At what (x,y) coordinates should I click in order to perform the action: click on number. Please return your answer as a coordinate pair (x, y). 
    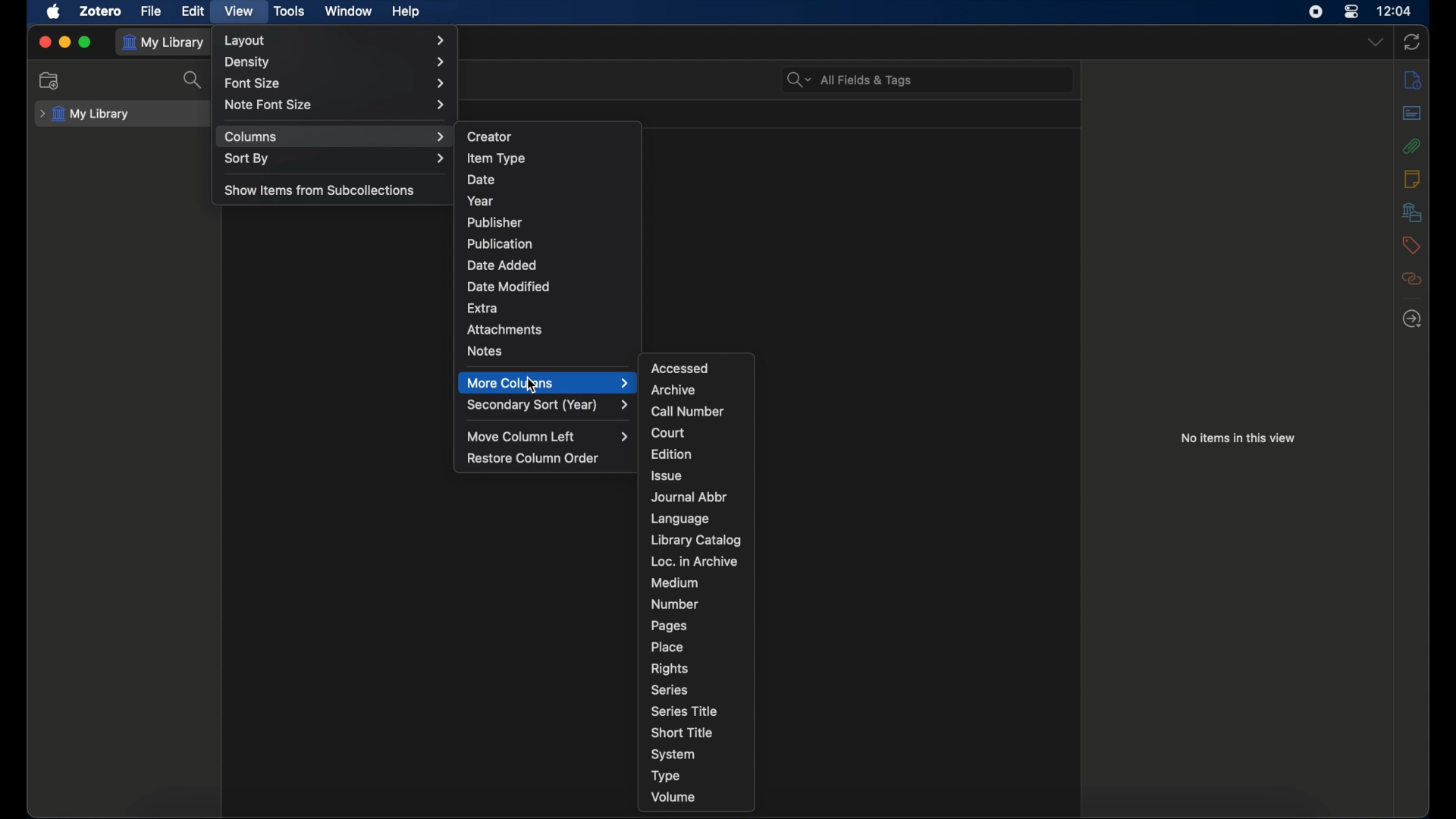
    Looking at the image, I should click on (674, 603).